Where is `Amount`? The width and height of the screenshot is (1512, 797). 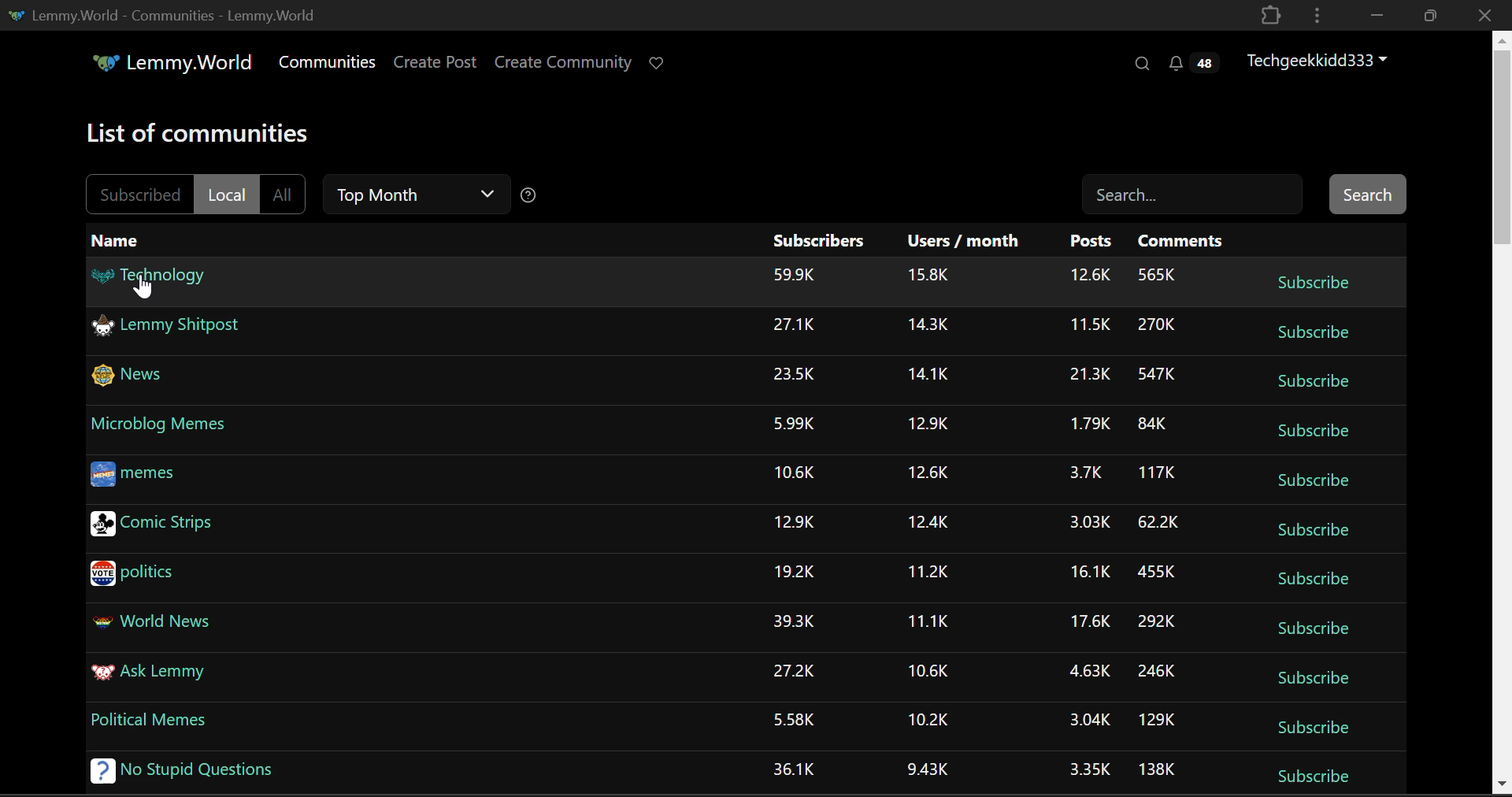
Amount is located at coordinates (790, 621).